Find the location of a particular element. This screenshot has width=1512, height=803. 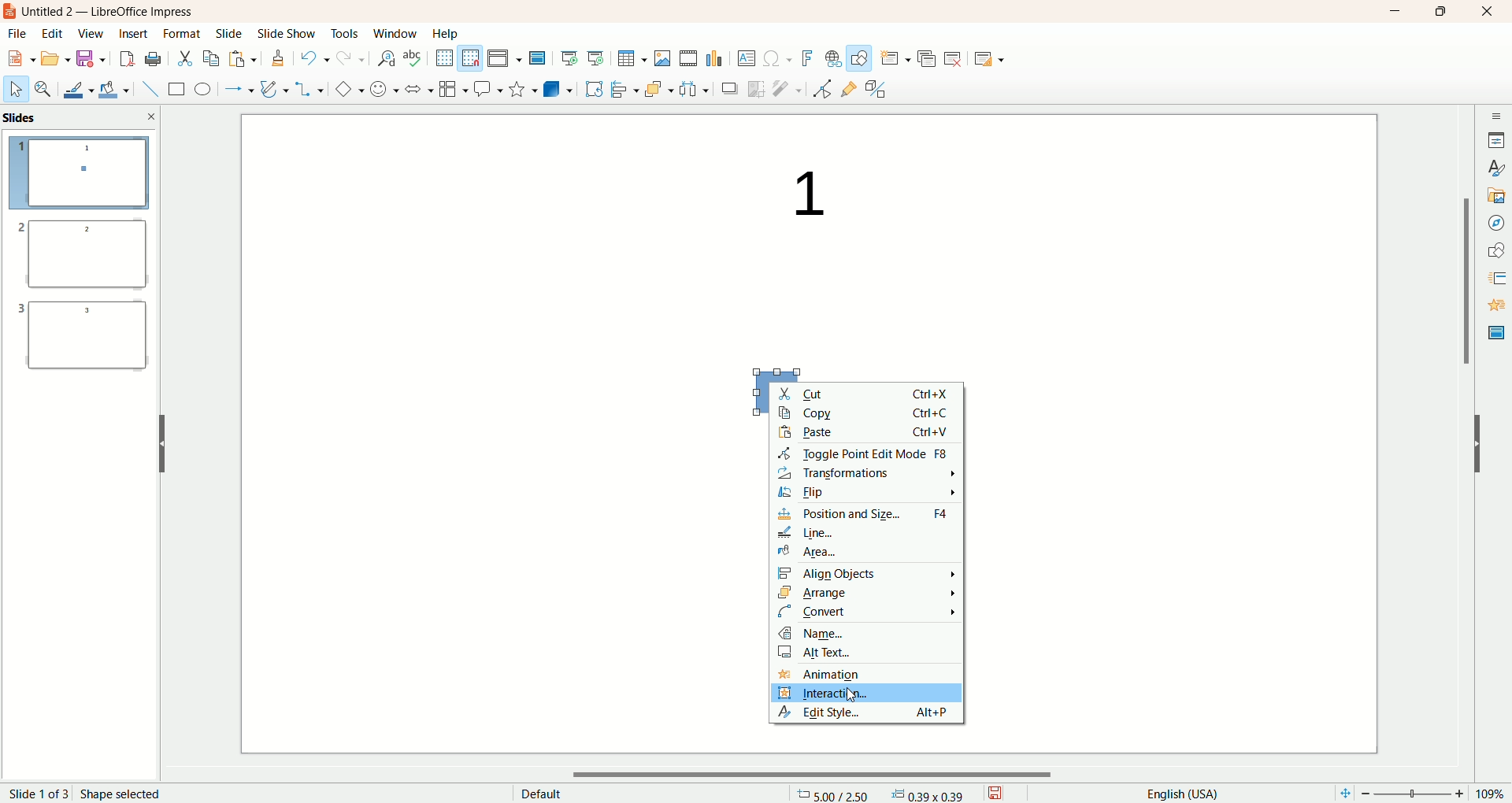

minimize is located at coordinates (1395, 12).